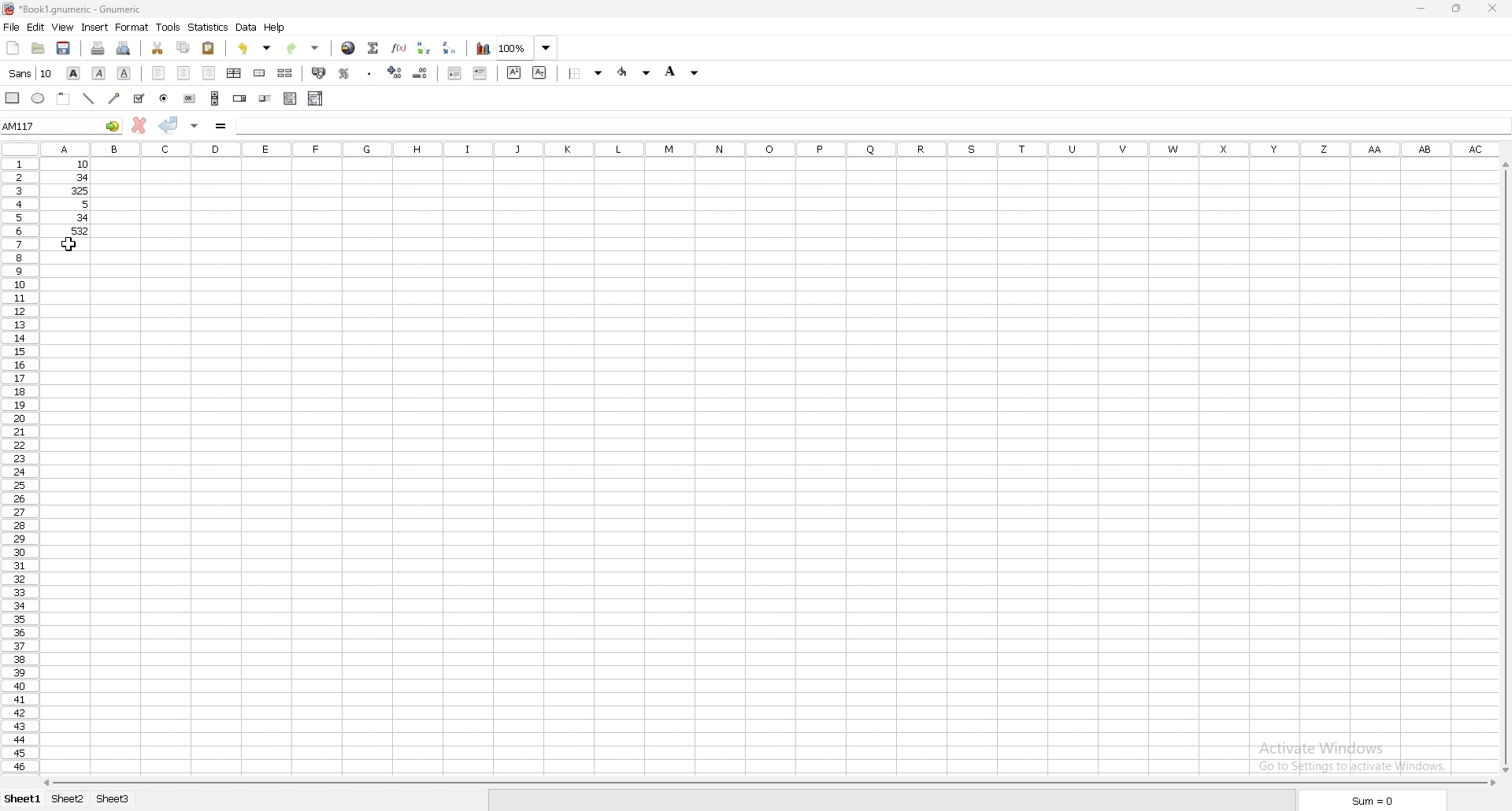 This screenshot has width=1512, height=811. What do you see at coordinates (169, 28) in the screenshot?
I see `tools` at bounding box center [169, 28].